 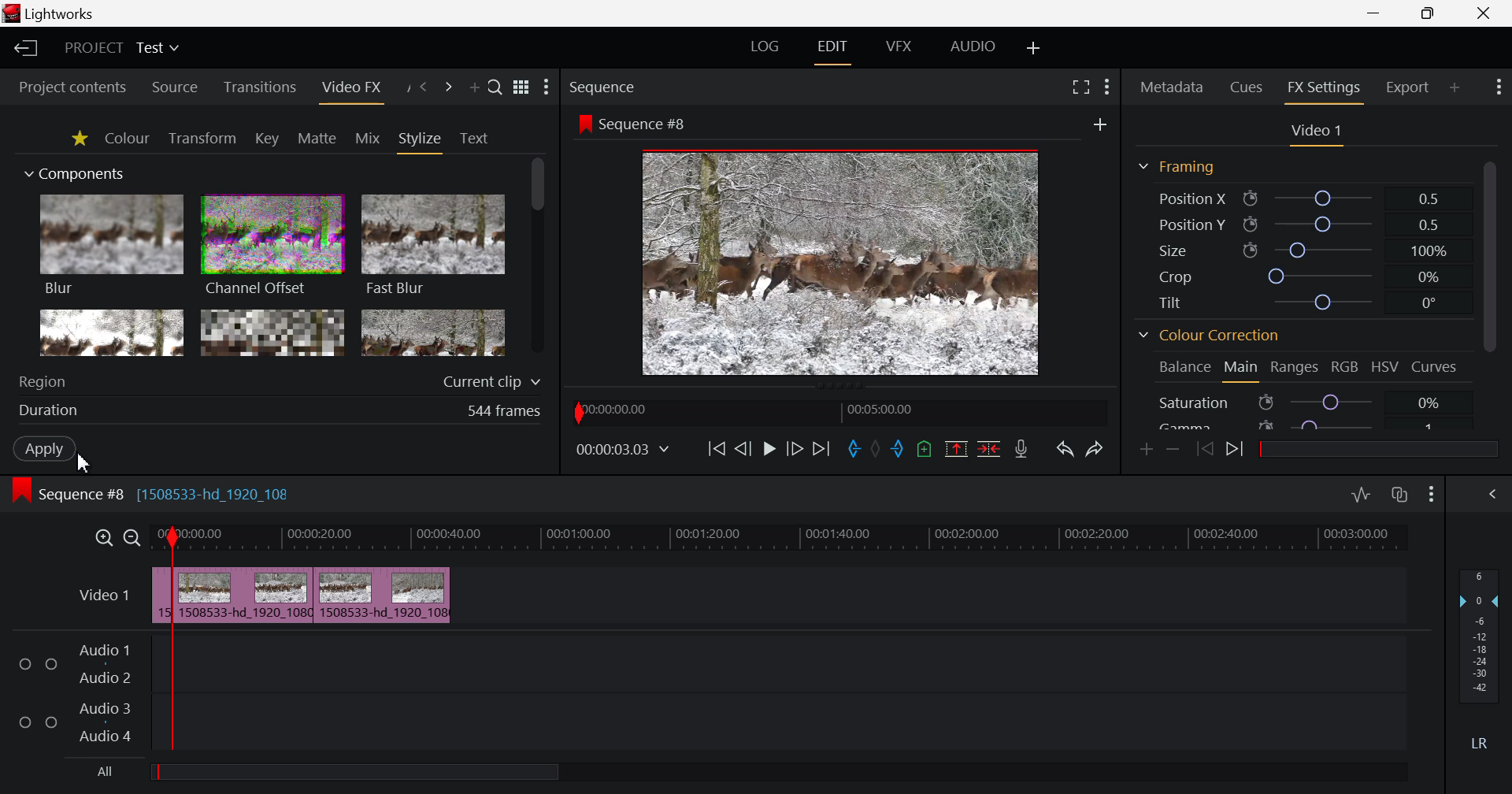 I want to click on Cues, so click(x=1247, y=88).